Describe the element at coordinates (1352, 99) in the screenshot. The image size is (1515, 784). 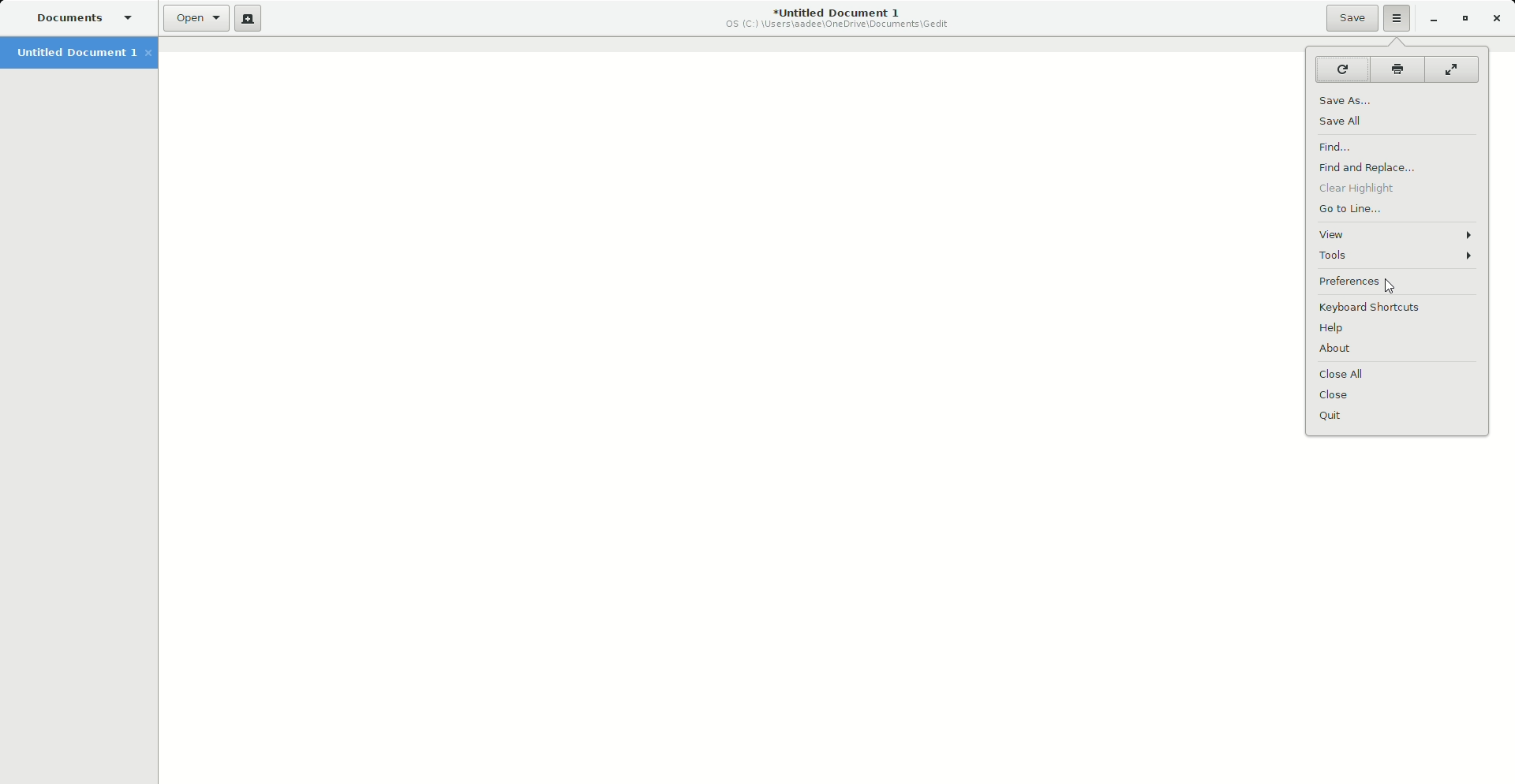
I see `Save as` at that location.